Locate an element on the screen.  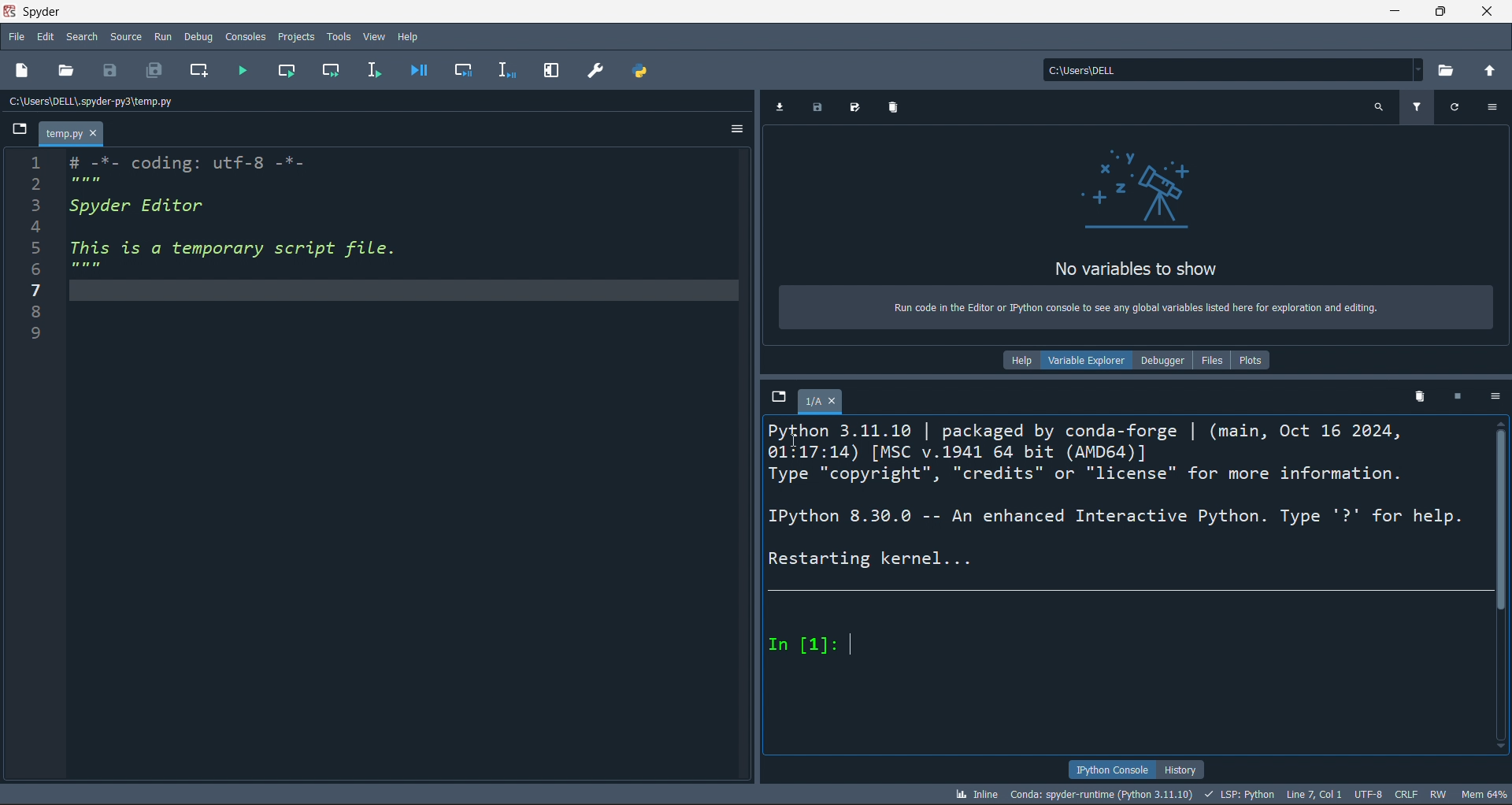
delete is located at coordinates (895, 107).